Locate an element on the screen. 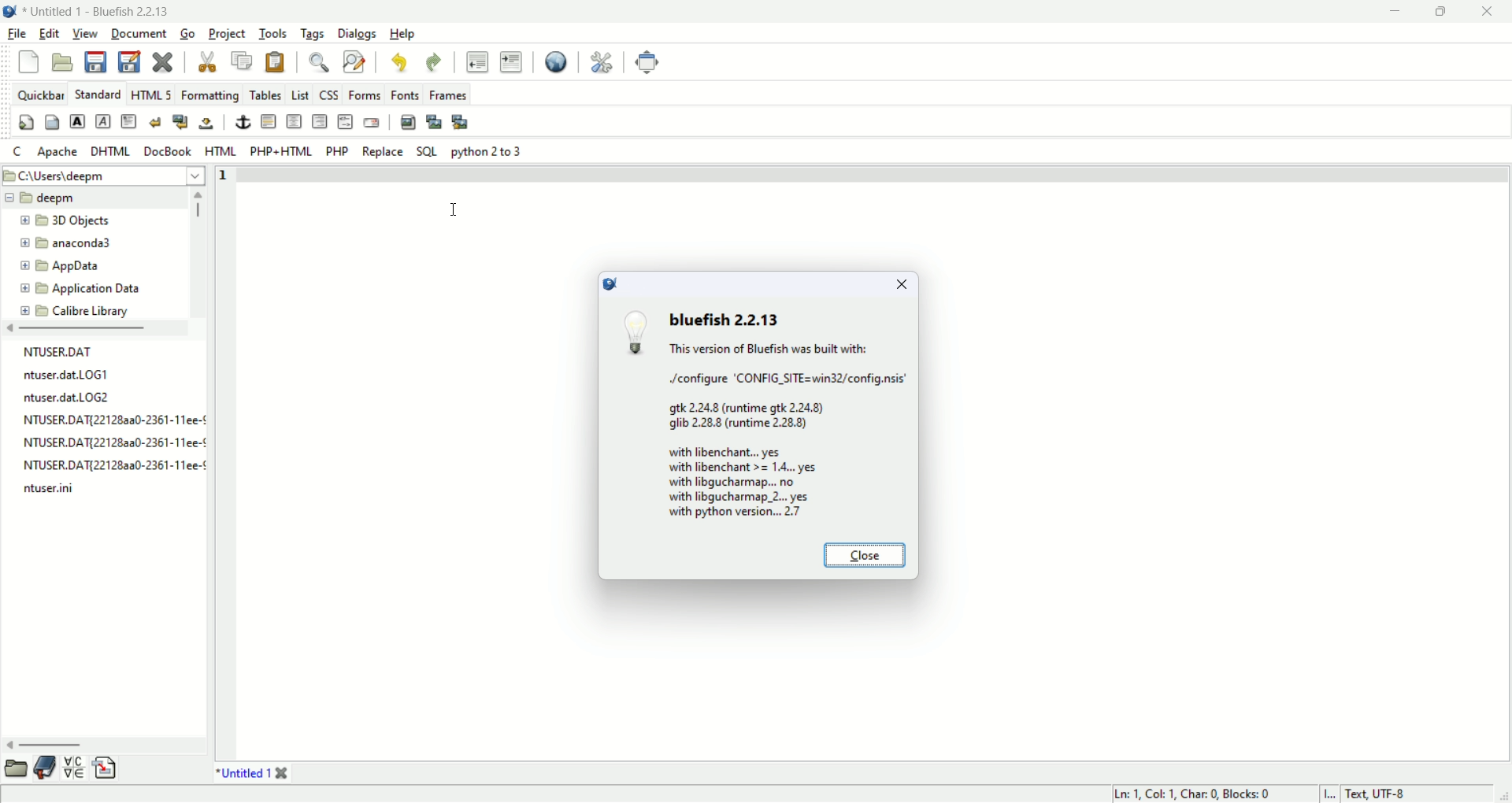 The image size is (1512, 803). dialogs is located at coordinates (357, 32).